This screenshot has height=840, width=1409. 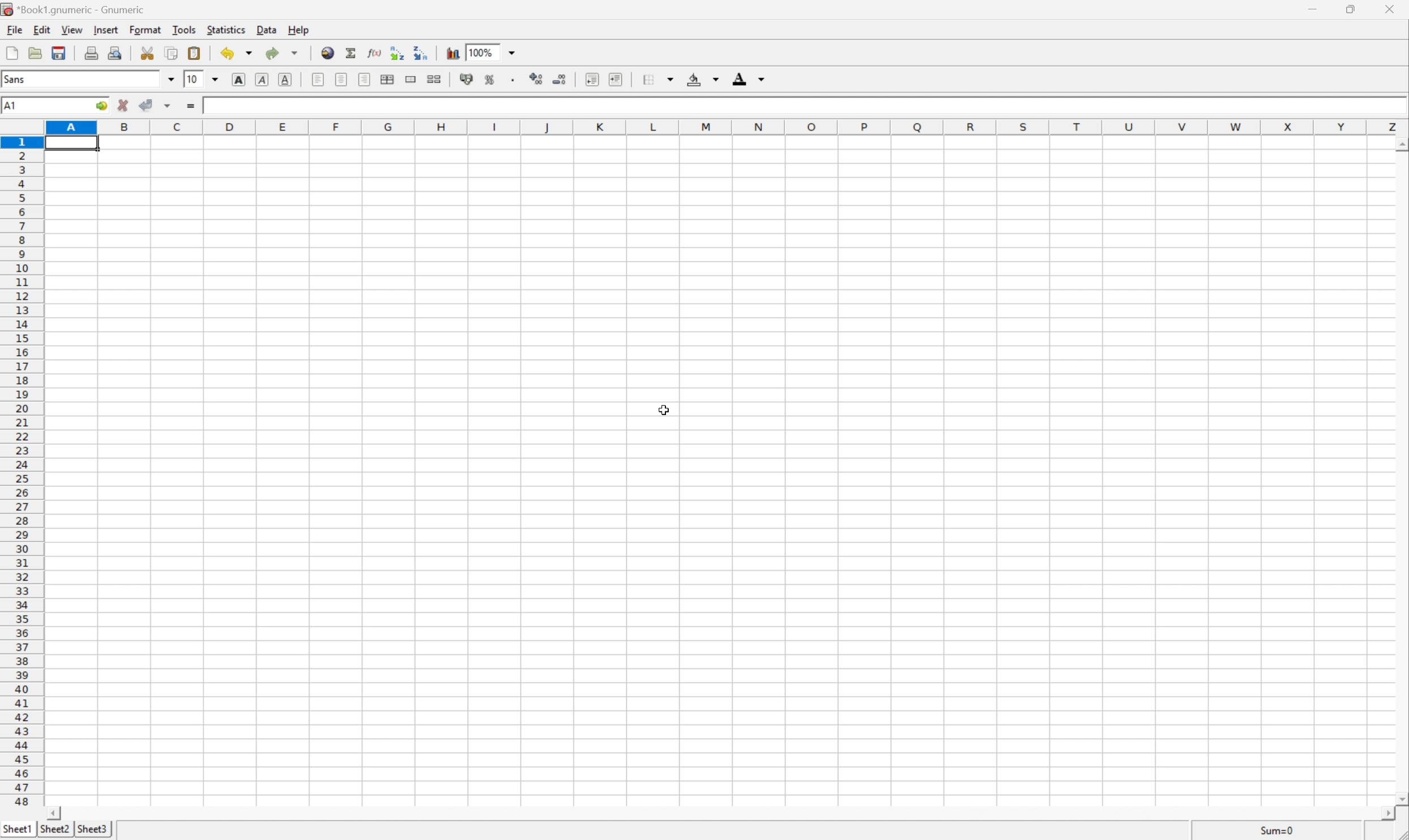 I want to click on View, so click(x=73, y=29).